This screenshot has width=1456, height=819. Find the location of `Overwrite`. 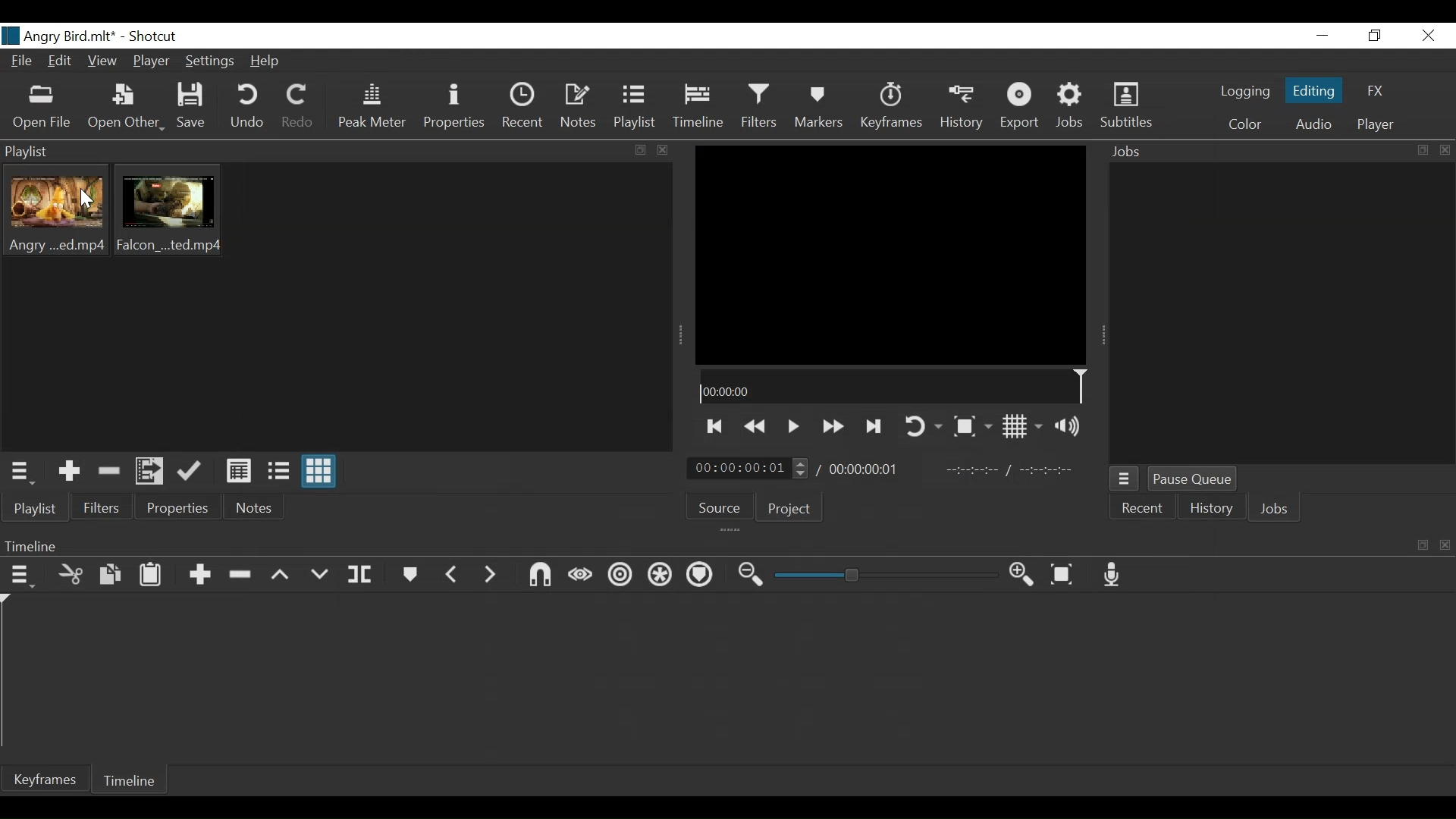

Overwrite is located at coordinates (319, 574).